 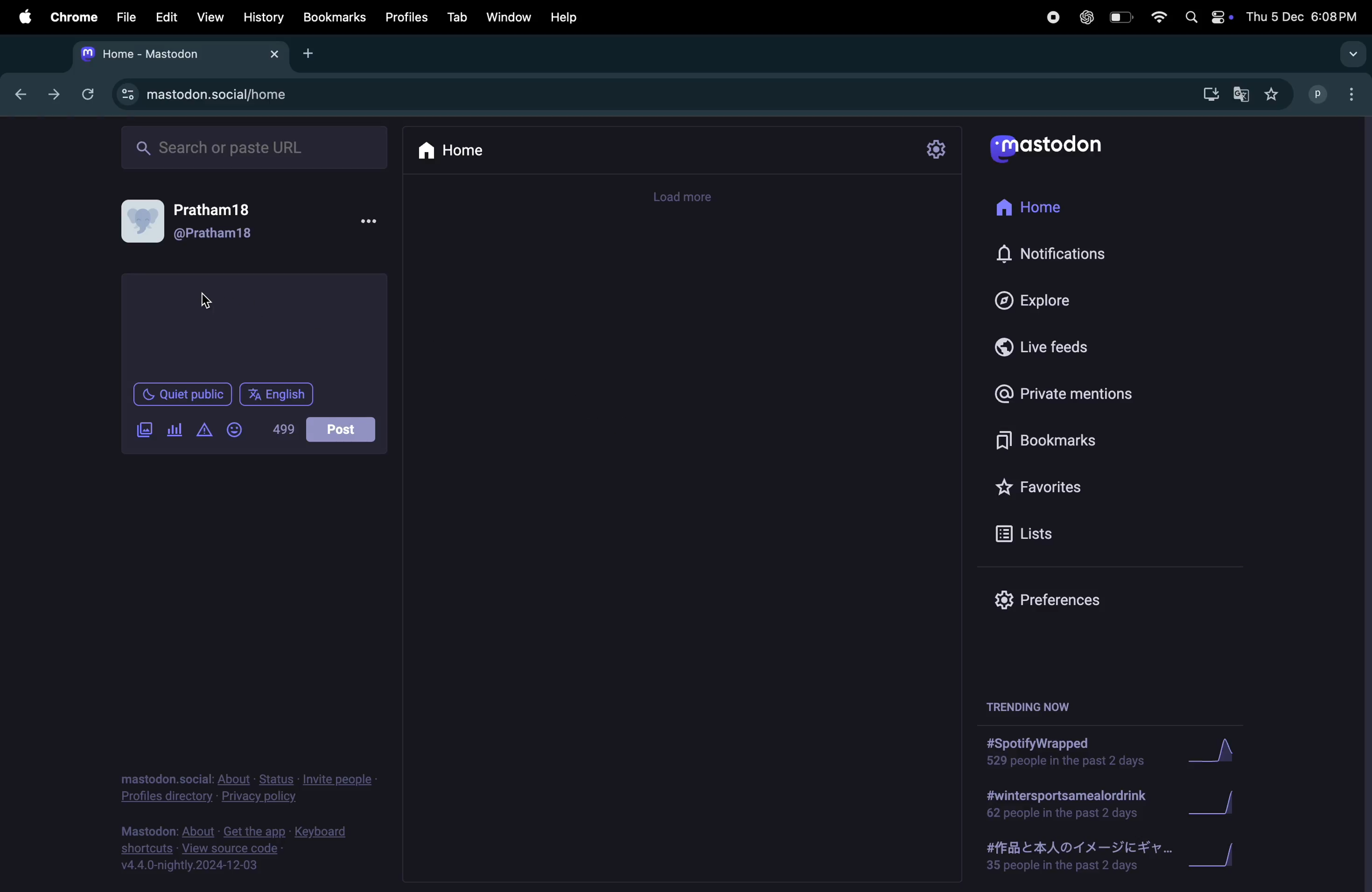 I want to click on privacy, so click(x=241, y=789).